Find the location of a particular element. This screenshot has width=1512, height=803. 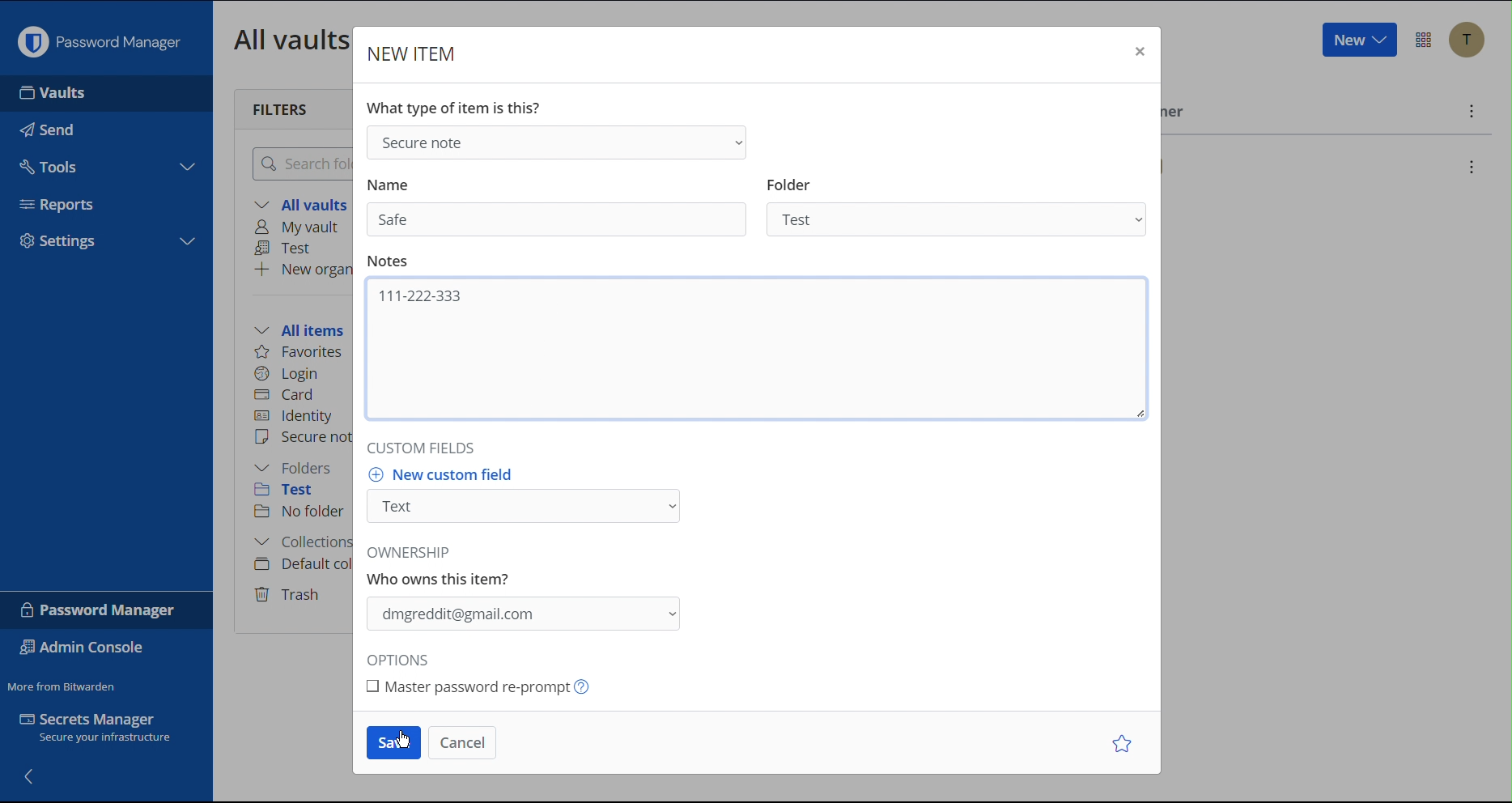

Master password re-prompt is located at coordinates (499, 687).